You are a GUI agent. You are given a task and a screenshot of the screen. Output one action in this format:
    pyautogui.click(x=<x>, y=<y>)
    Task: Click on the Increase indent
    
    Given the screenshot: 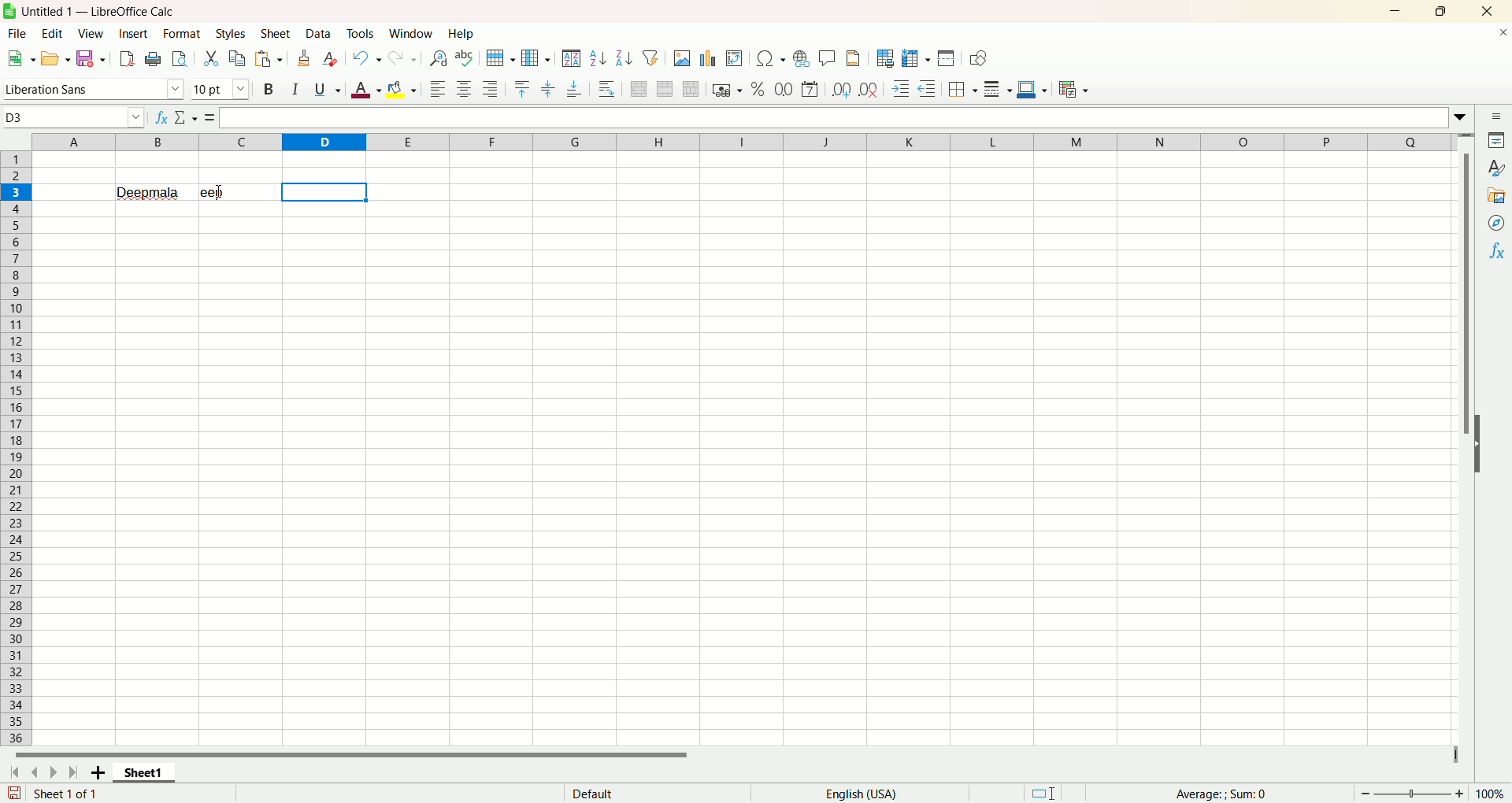 What is the action you would take?
    pyautogui.click(x=900, y=89)
    